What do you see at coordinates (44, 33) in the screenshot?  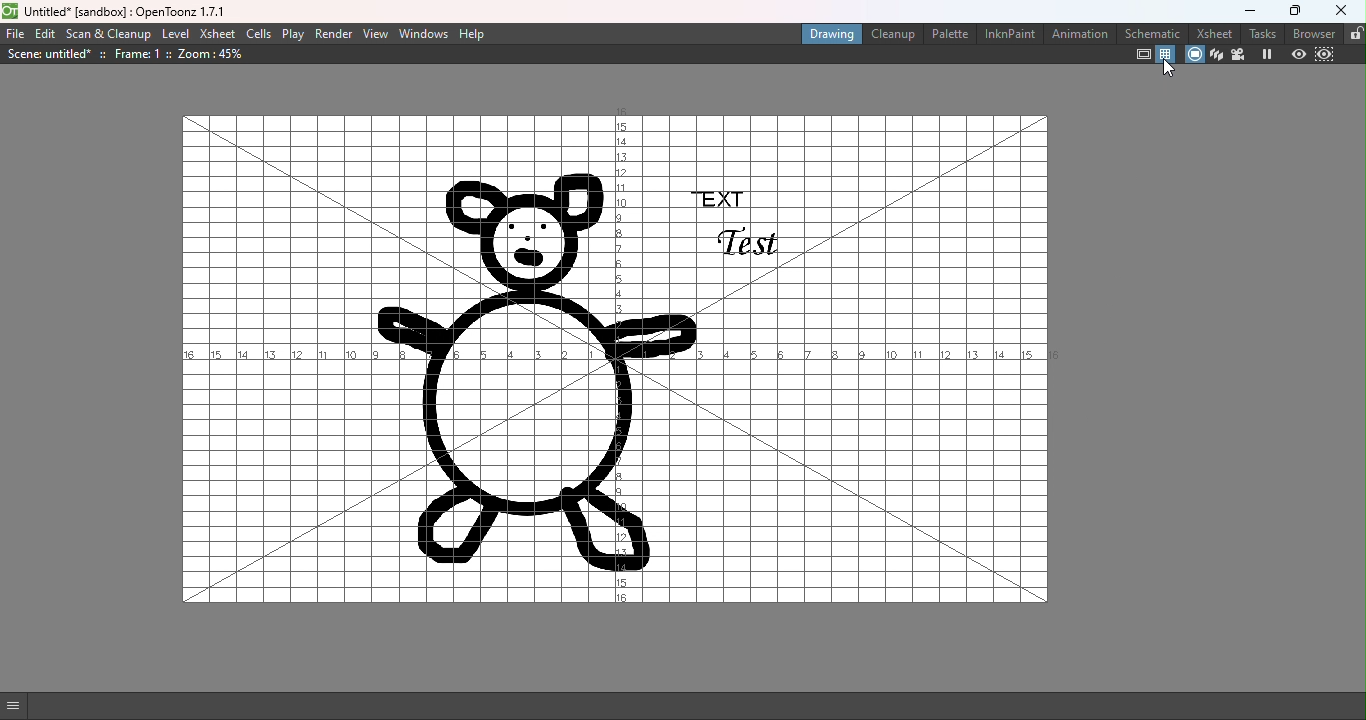 I see `Edit` at bounding box center [44, 33].